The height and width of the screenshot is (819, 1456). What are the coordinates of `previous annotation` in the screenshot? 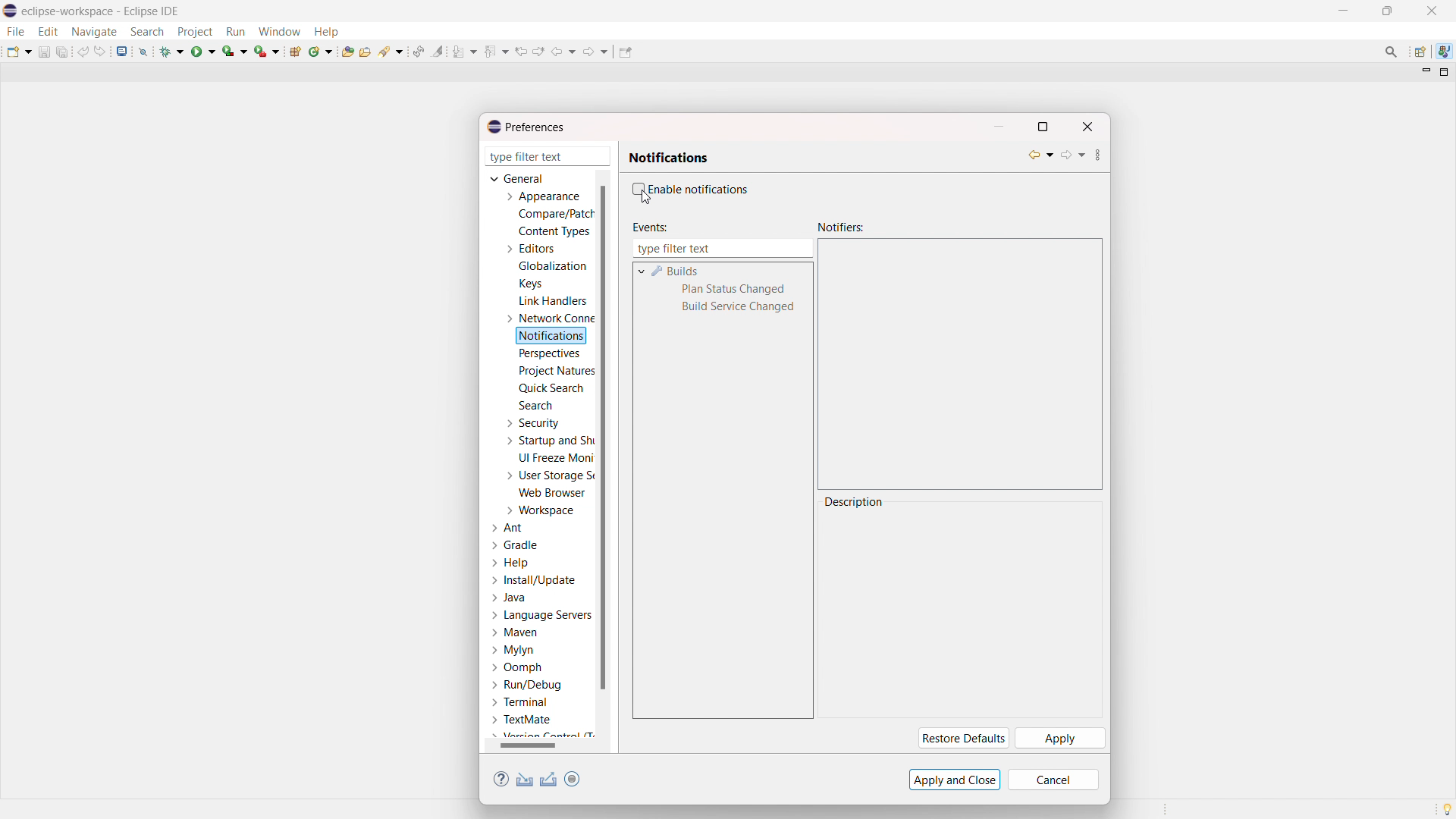 It's located at (496, 51).